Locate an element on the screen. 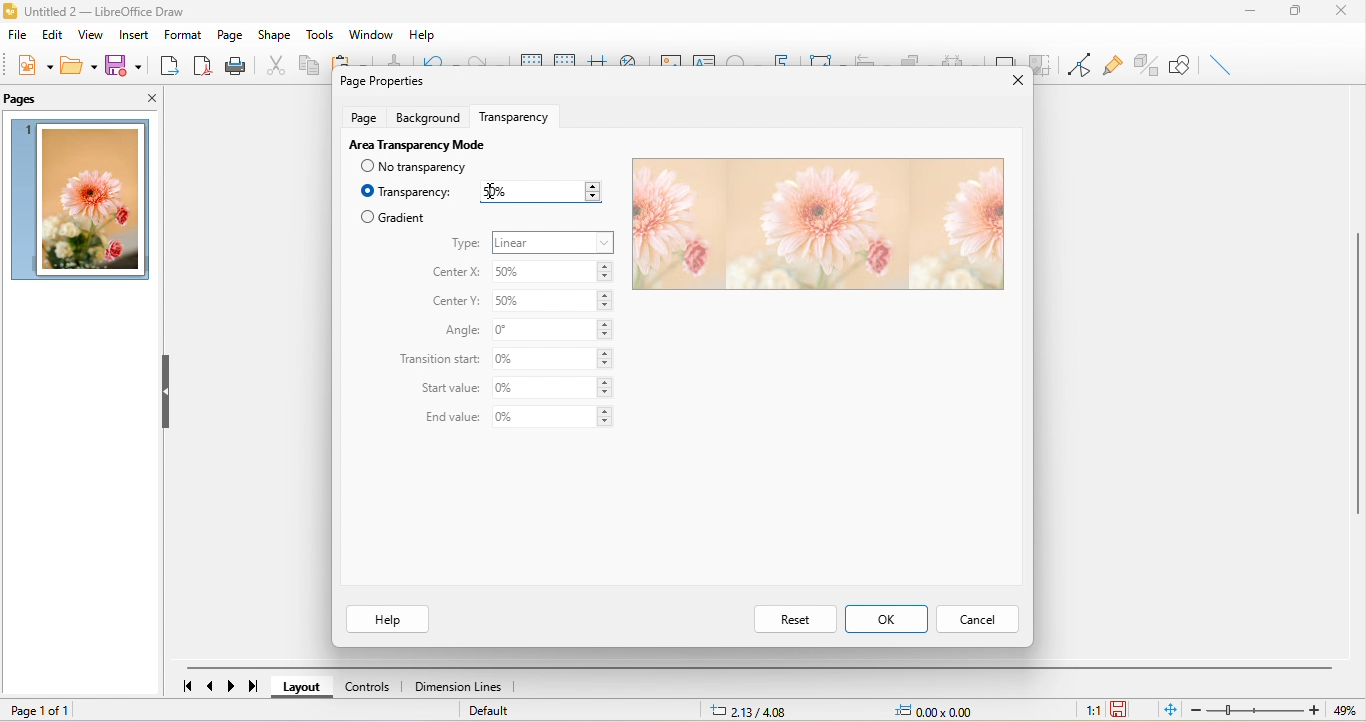 Image resolution: width=1366 pixels, height=722 pixels. print is located at coordinates (235, 65).